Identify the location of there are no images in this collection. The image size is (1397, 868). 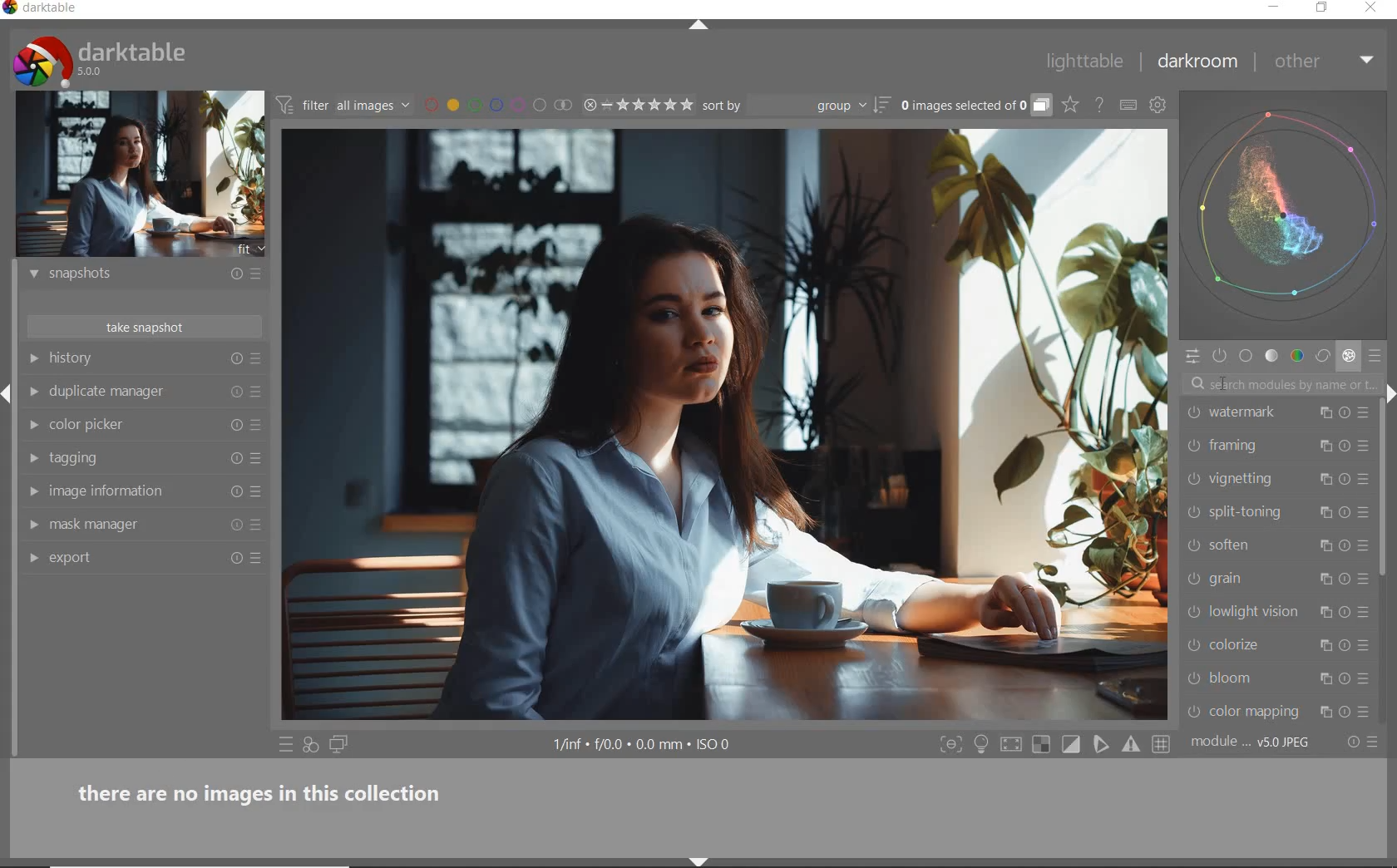
(269, 791).